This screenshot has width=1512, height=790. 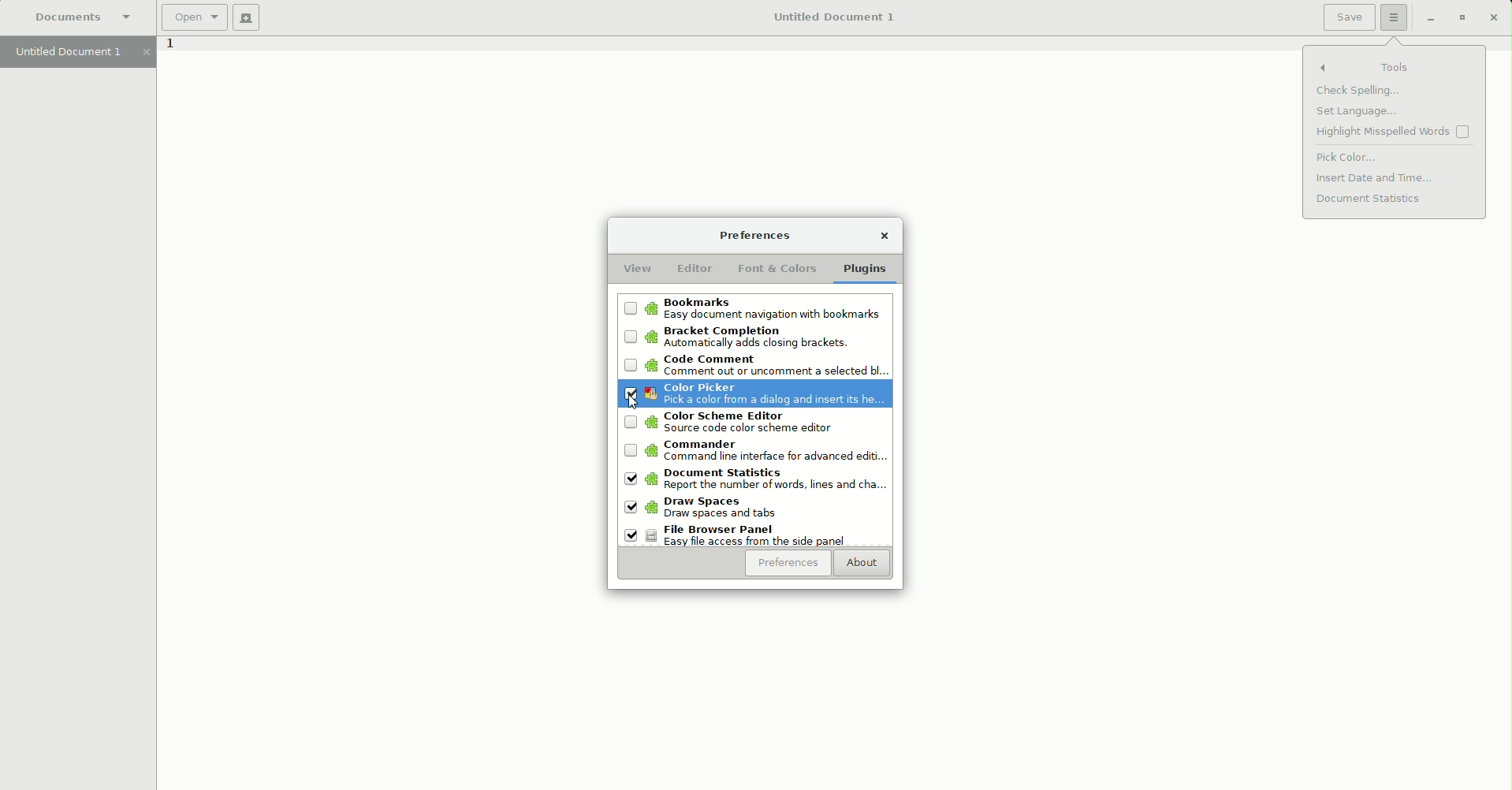 What do you see at coordinates (1459, 18) in the screenshot?
I see `Restore` at bounding box center [1459, 18].